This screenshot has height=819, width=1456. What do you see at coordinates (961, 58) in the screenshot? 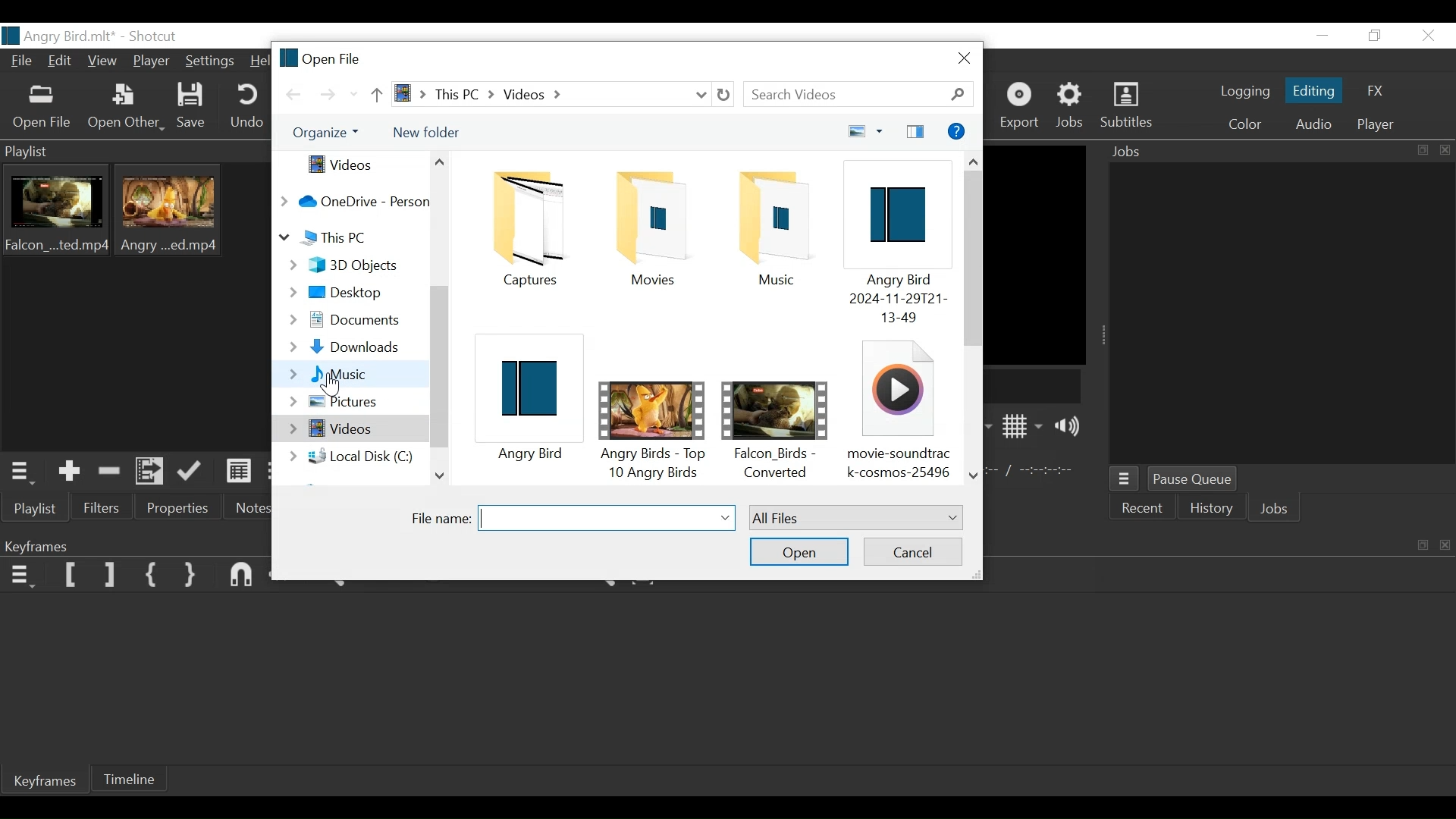
I see `Close` at bounding box center [961, 58].